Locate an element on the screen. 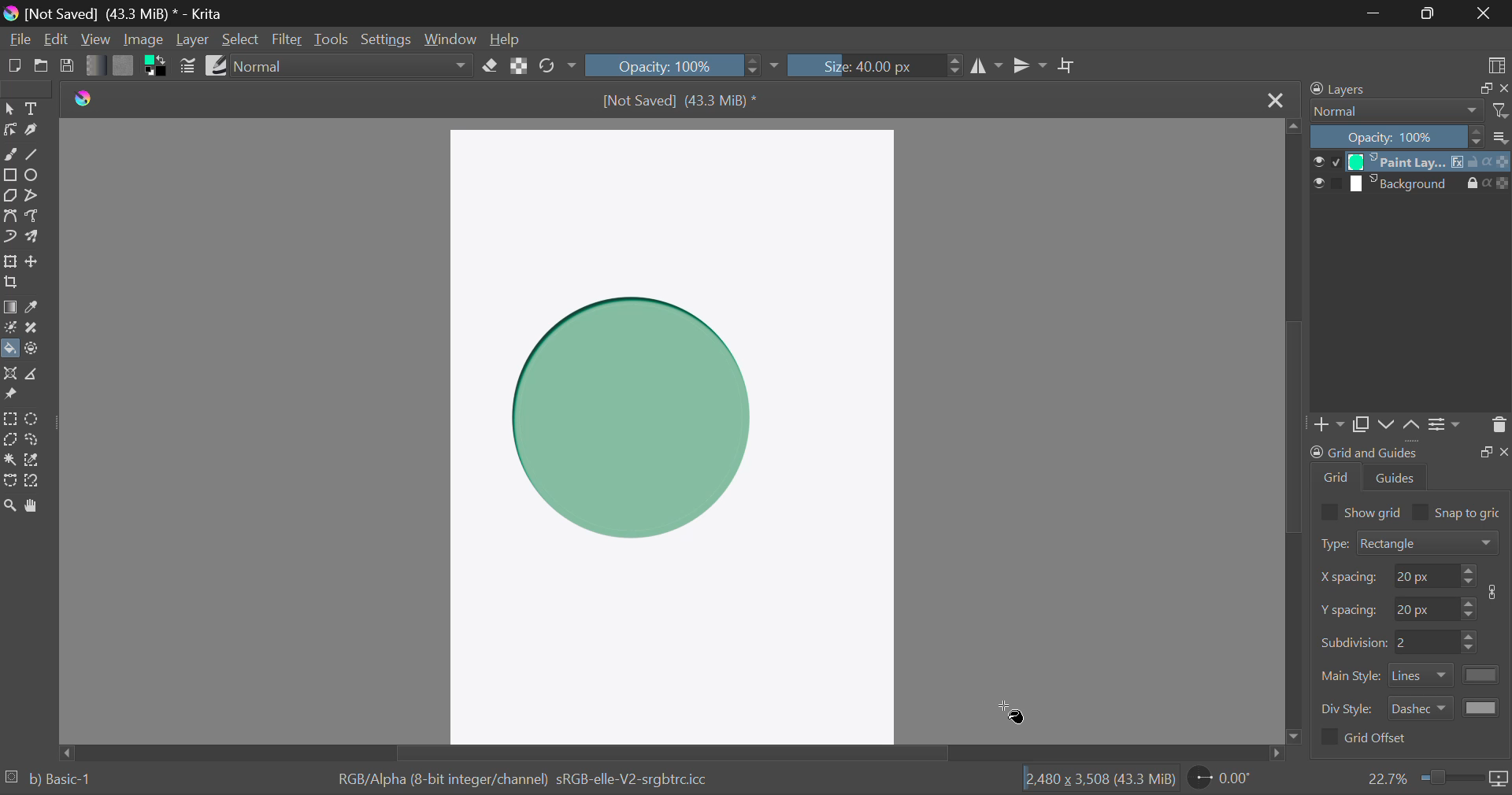  View is located at coordinates (96, 41).